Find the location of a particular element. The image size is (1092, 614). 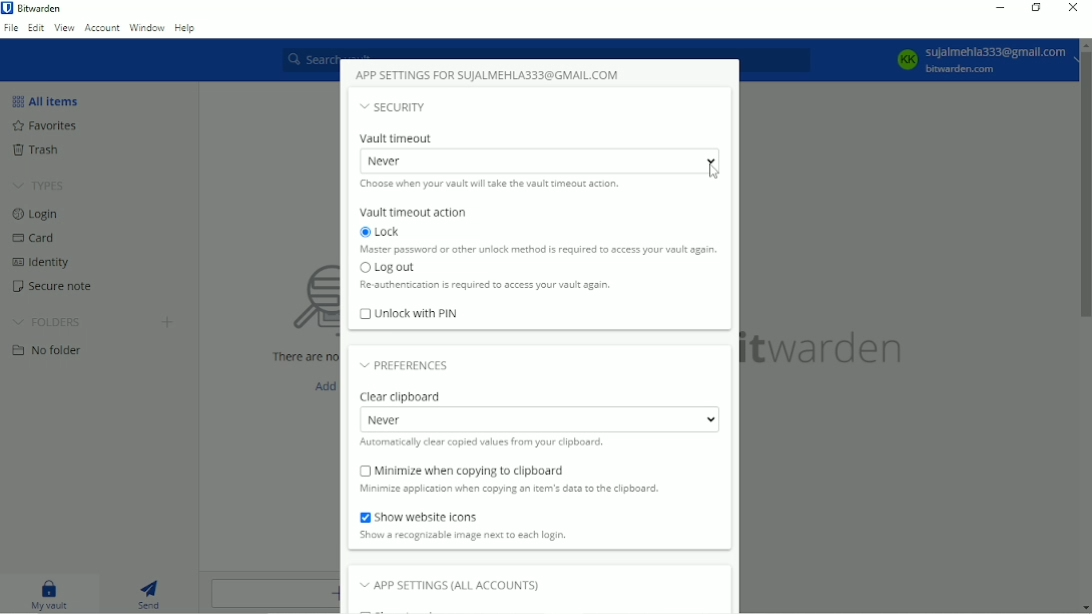

Restore down is located at coordinates (1034, 8).